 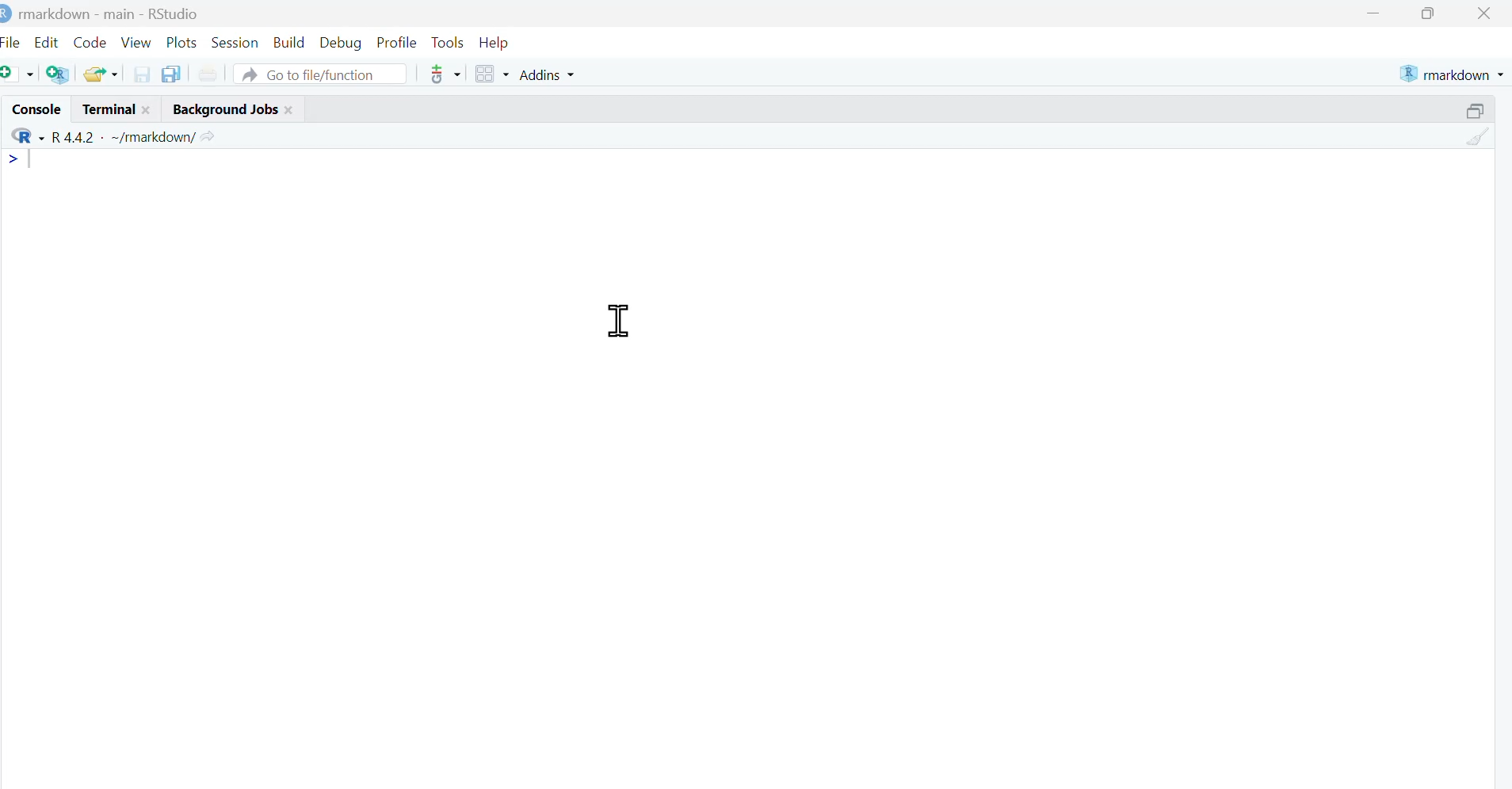 What do you see at coordinates (1479, 137) in the screenshot?
I see `clear console` at bounding box center [1479, 137].